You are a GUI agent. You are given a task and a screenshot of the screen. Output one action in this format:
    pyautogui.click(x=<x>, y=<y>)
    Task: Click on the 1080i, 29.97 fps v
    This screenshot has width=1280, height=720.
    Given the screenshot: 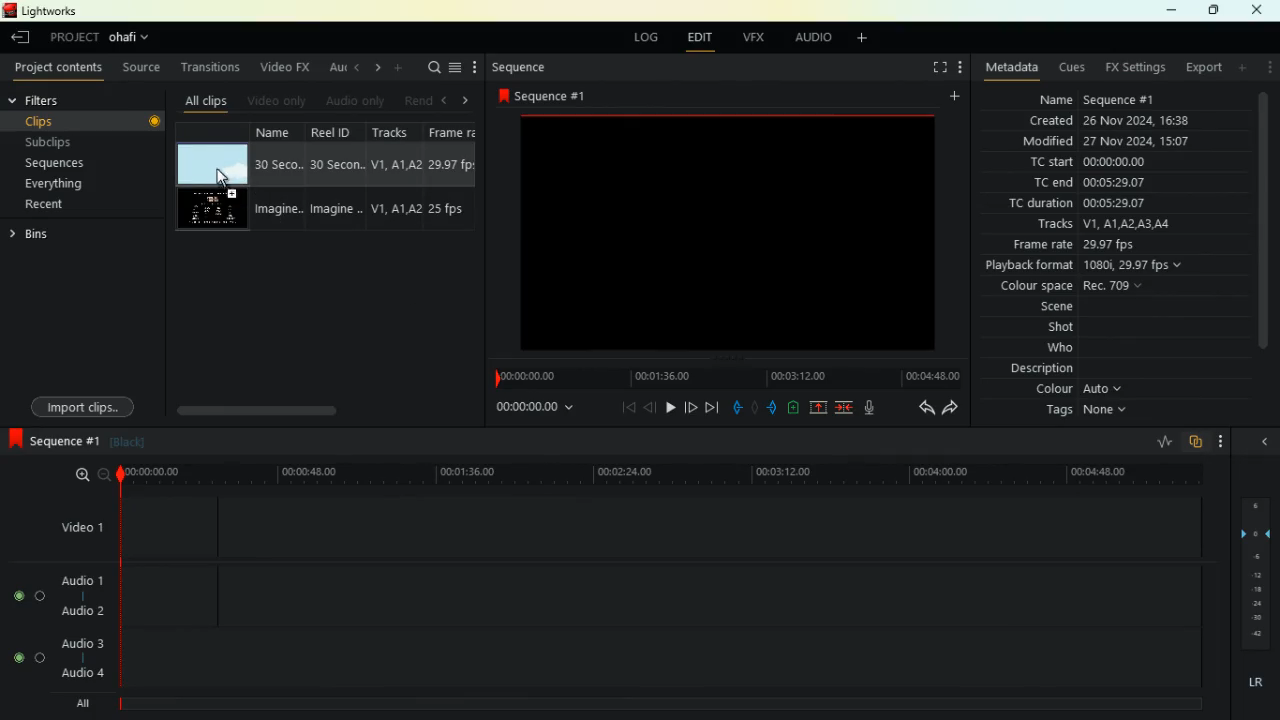 What is the action you would take?
    pyautogui.click(x=1134, y=265)
    